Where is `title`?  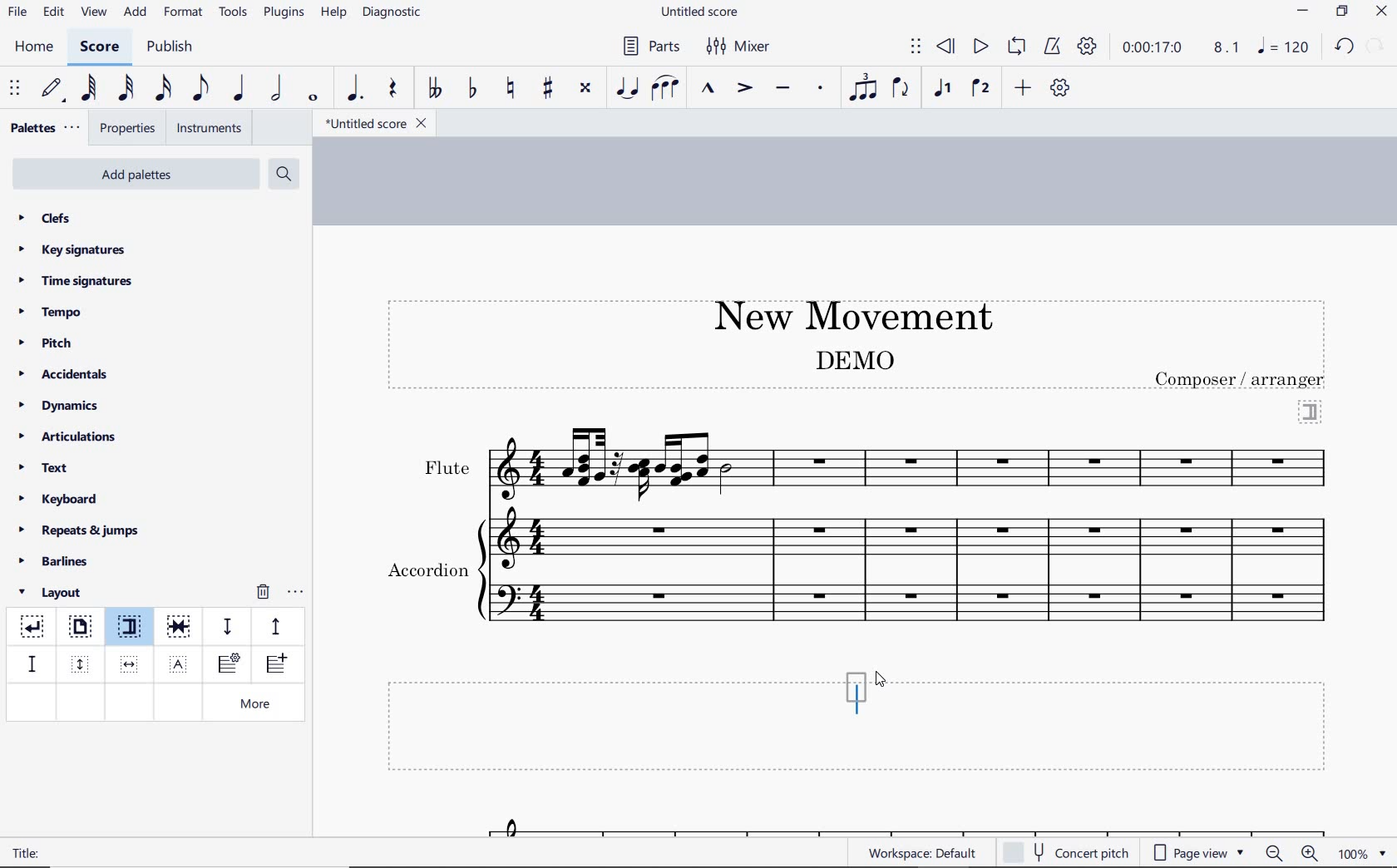 title is located at coordinates (845, 313).